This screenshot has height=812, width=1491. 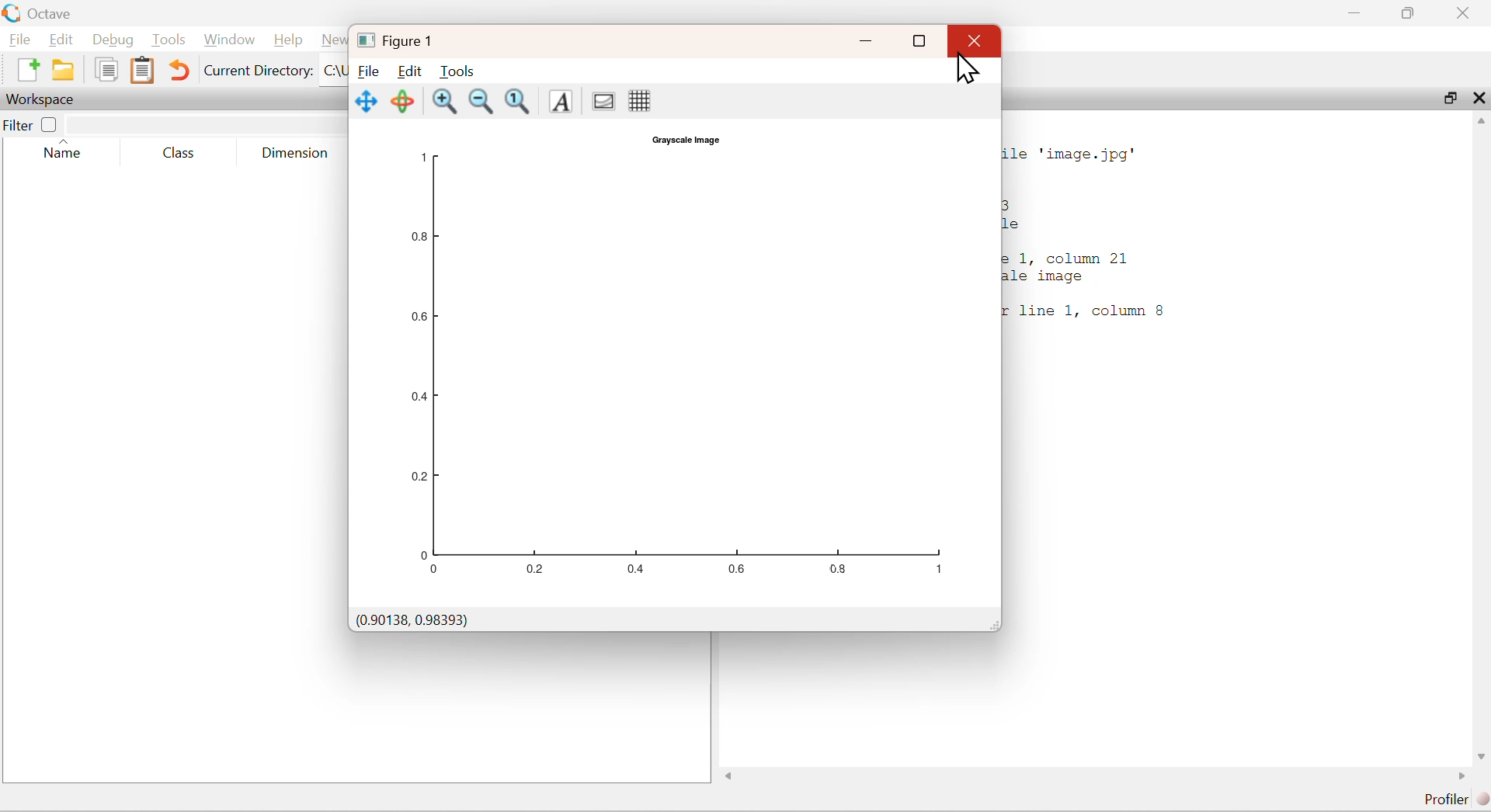 What do you see at coordinates (481, 102) in the screenshot?
I see `Zoom out` at bounding box center [481, 102].